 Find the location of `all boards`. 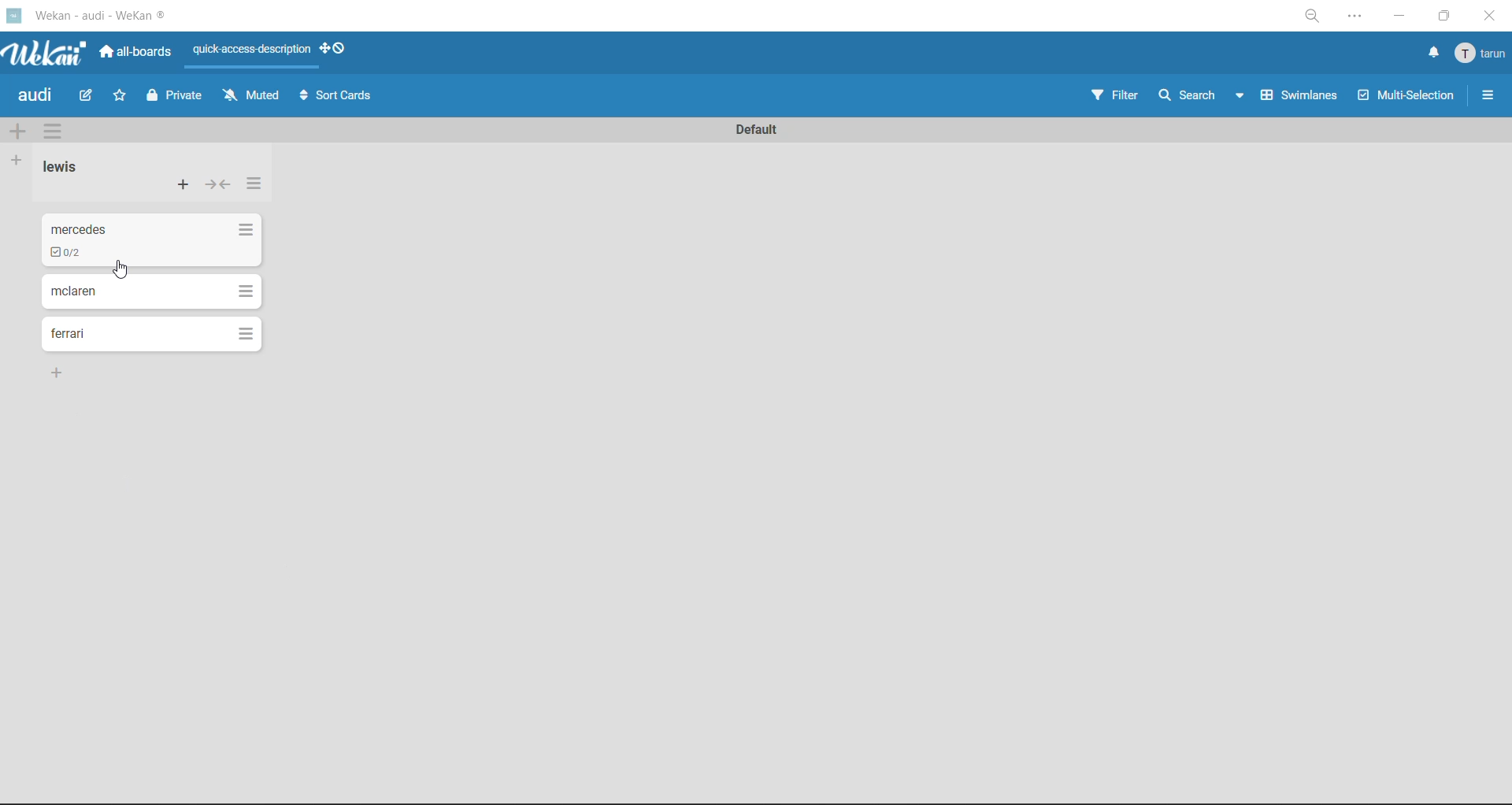

all boards is located at coordinates (136, 53).